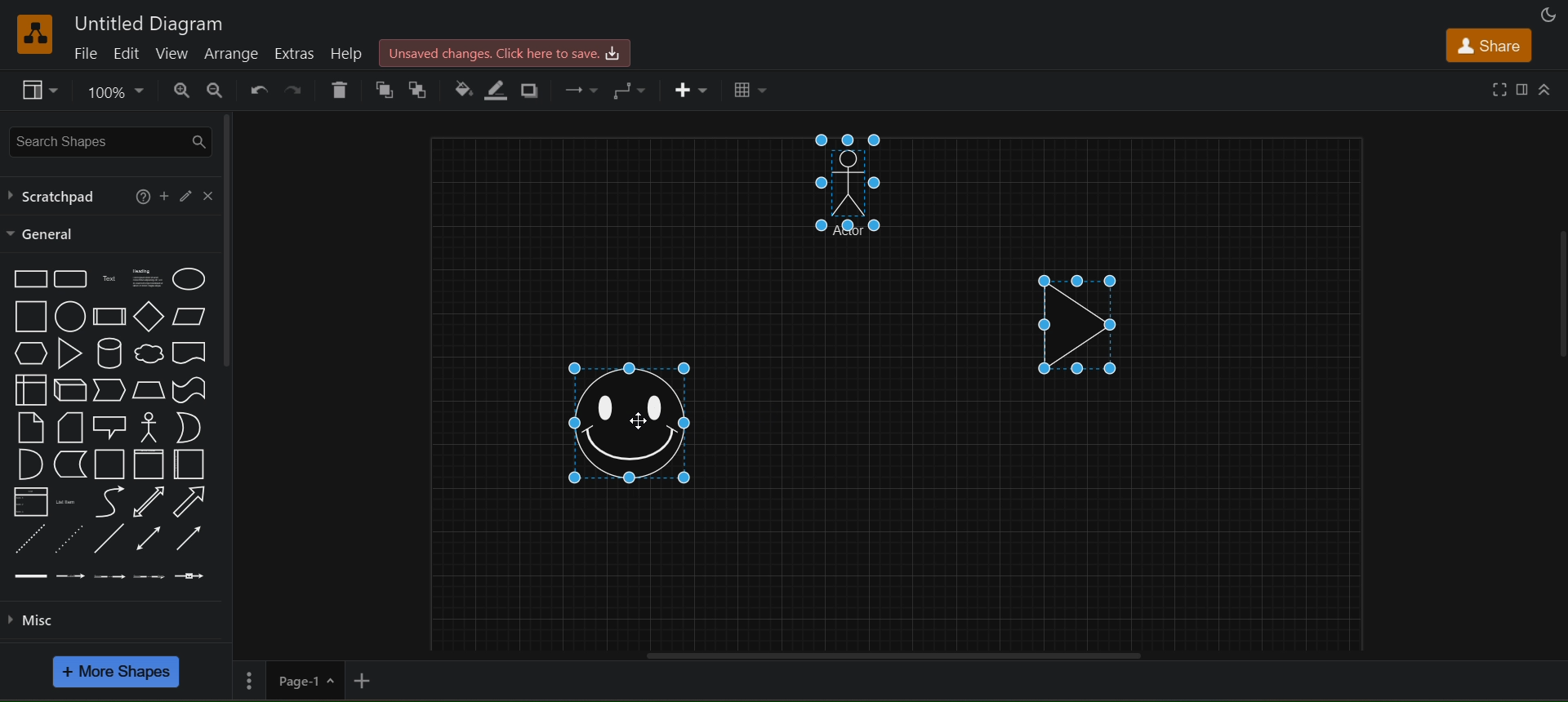  I want to click on search shapes, so click(110, 139).